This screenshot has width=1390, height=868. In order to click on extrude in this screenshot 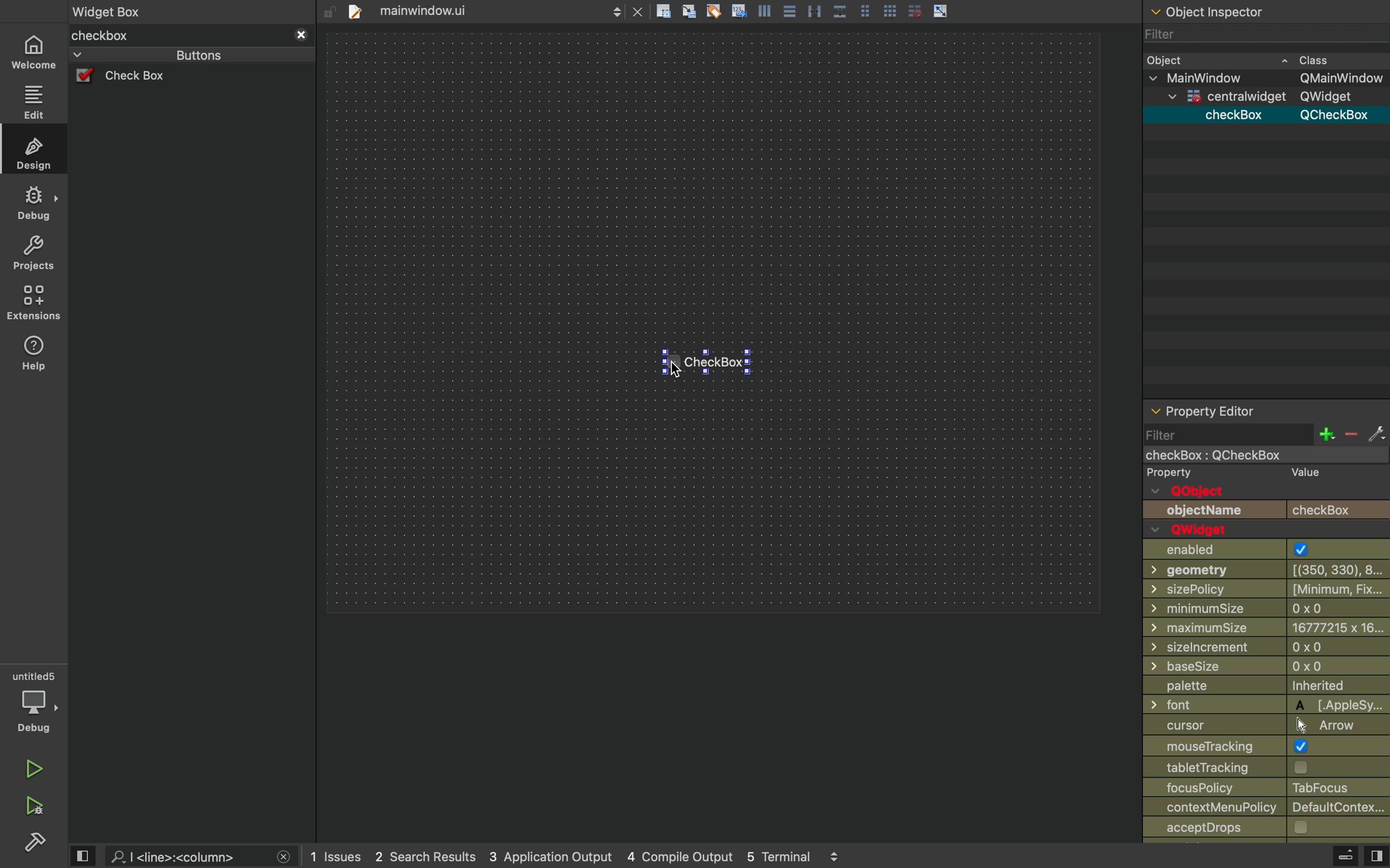, I will do `click(1346, 855)`.